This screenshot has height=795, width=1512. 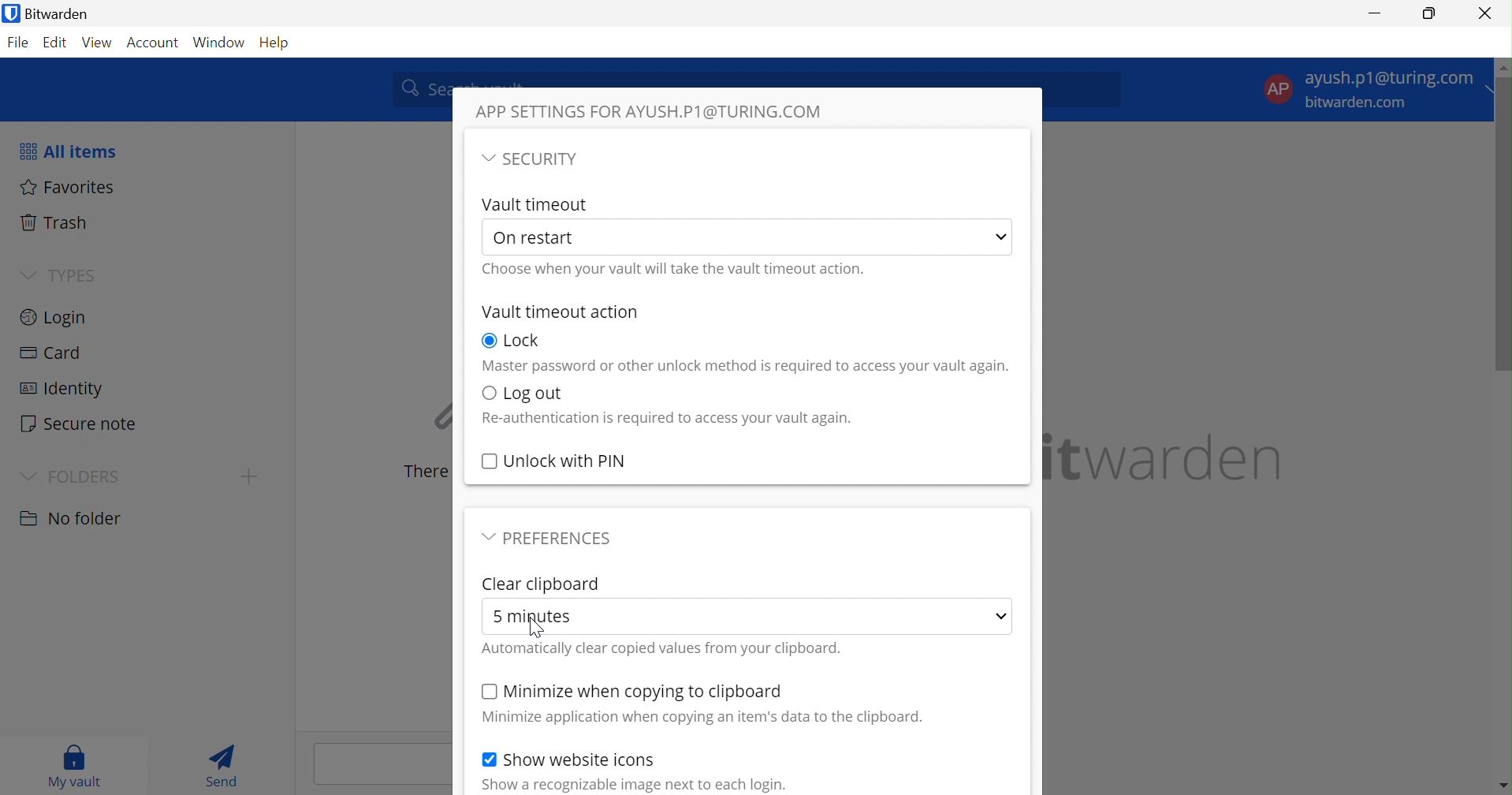 I want to click on FOLDERS, so click(x=84, y=479).